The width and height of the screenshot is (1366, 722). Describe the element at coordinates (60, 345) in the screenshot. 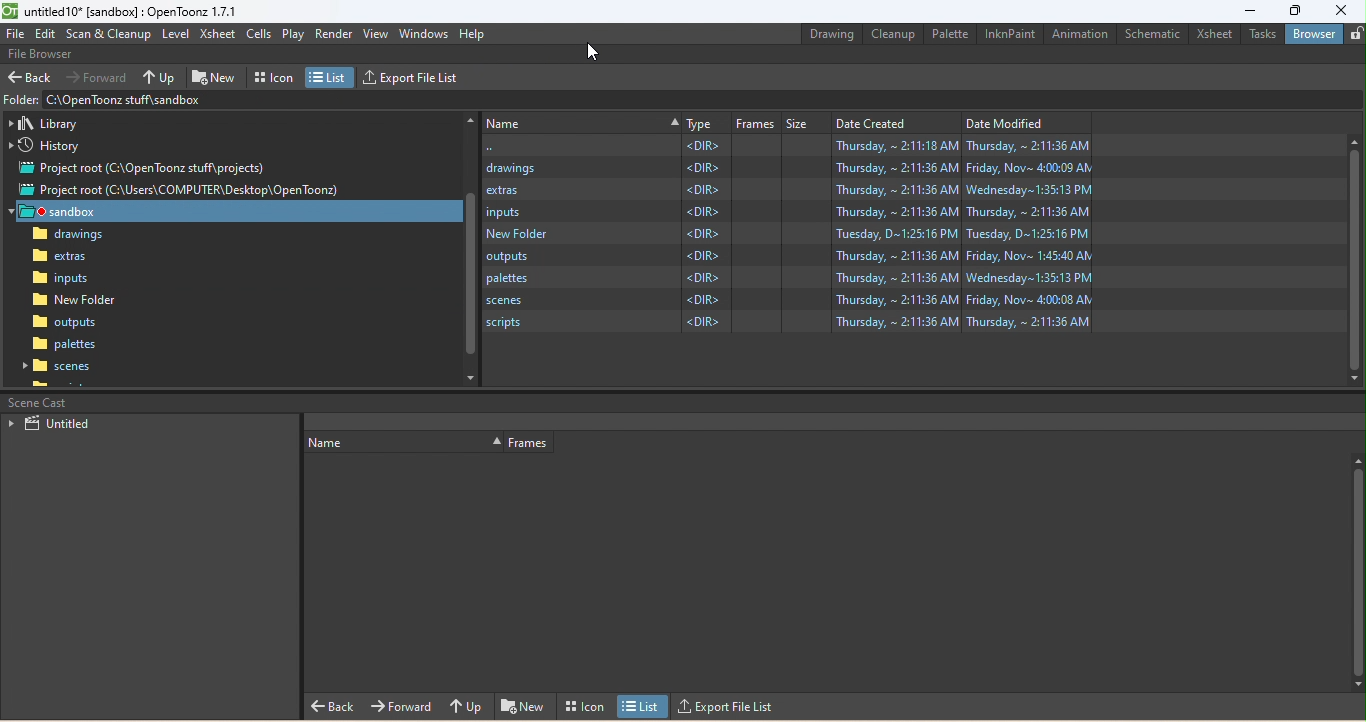

I see `scenes` at that location.